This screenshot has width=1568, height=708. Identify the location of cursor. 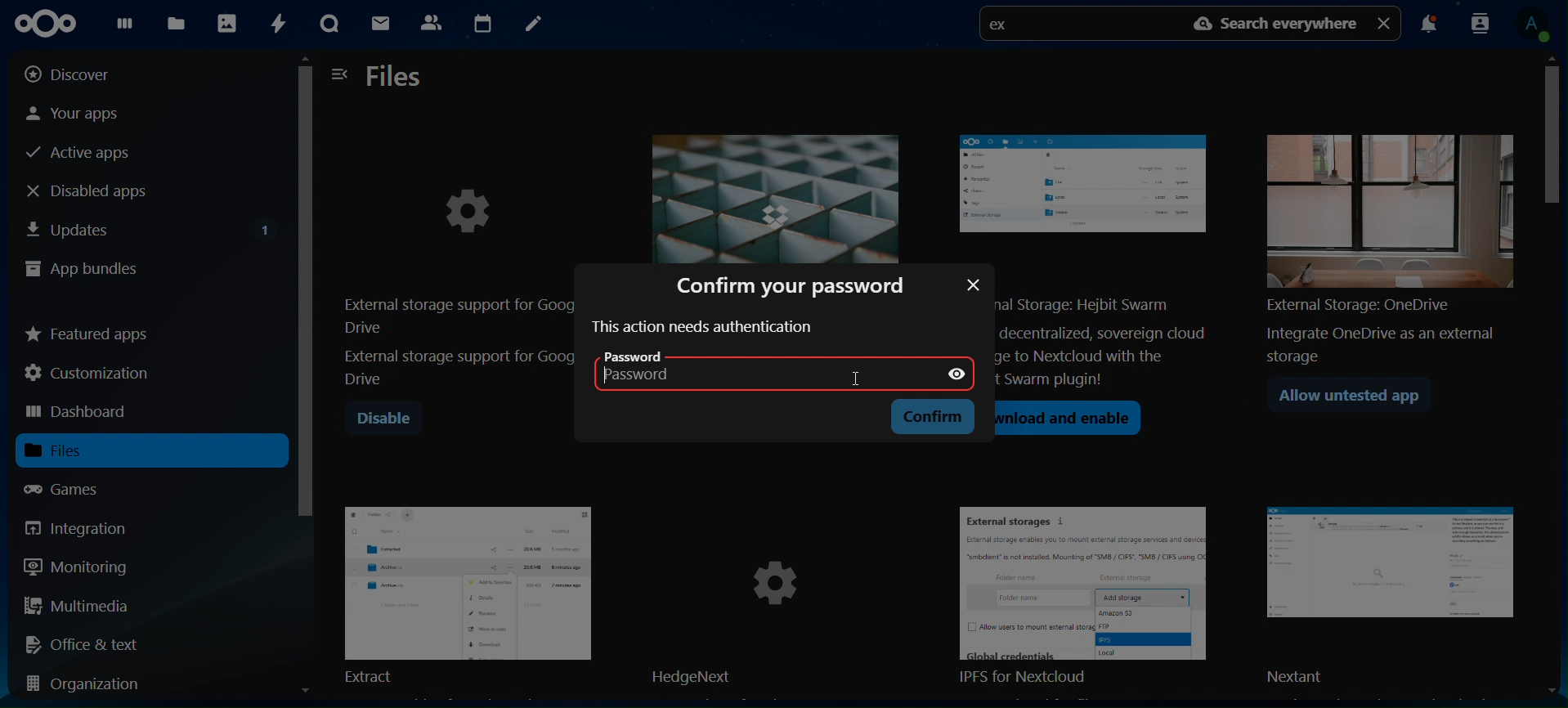
(856, 379).